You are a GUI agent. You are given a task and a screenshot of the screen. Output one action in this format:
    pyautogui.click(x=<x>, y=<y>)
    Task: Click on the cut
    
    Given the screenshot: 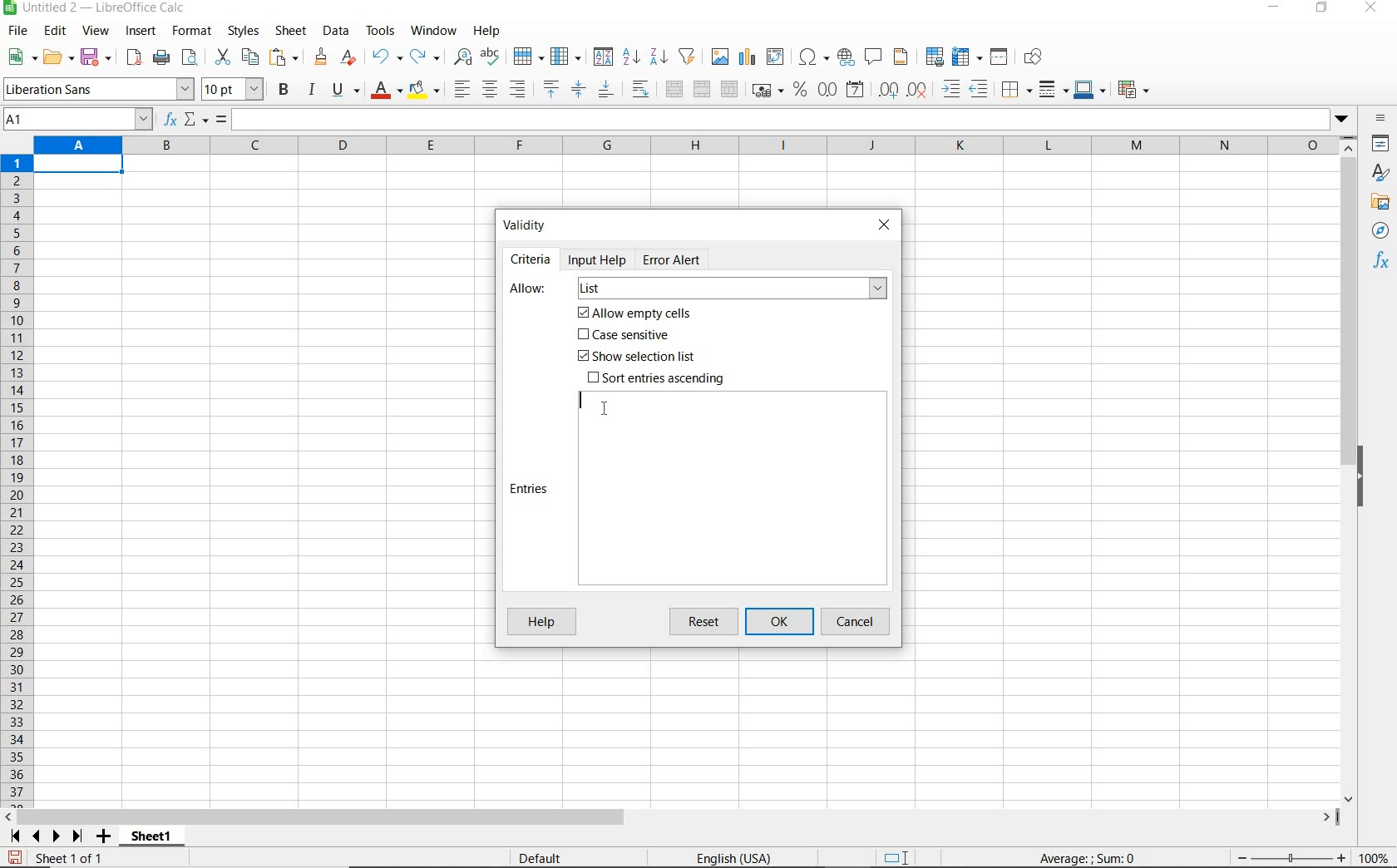 What is the action you would take?
    pyautogui.click(x=222, y=57)
    